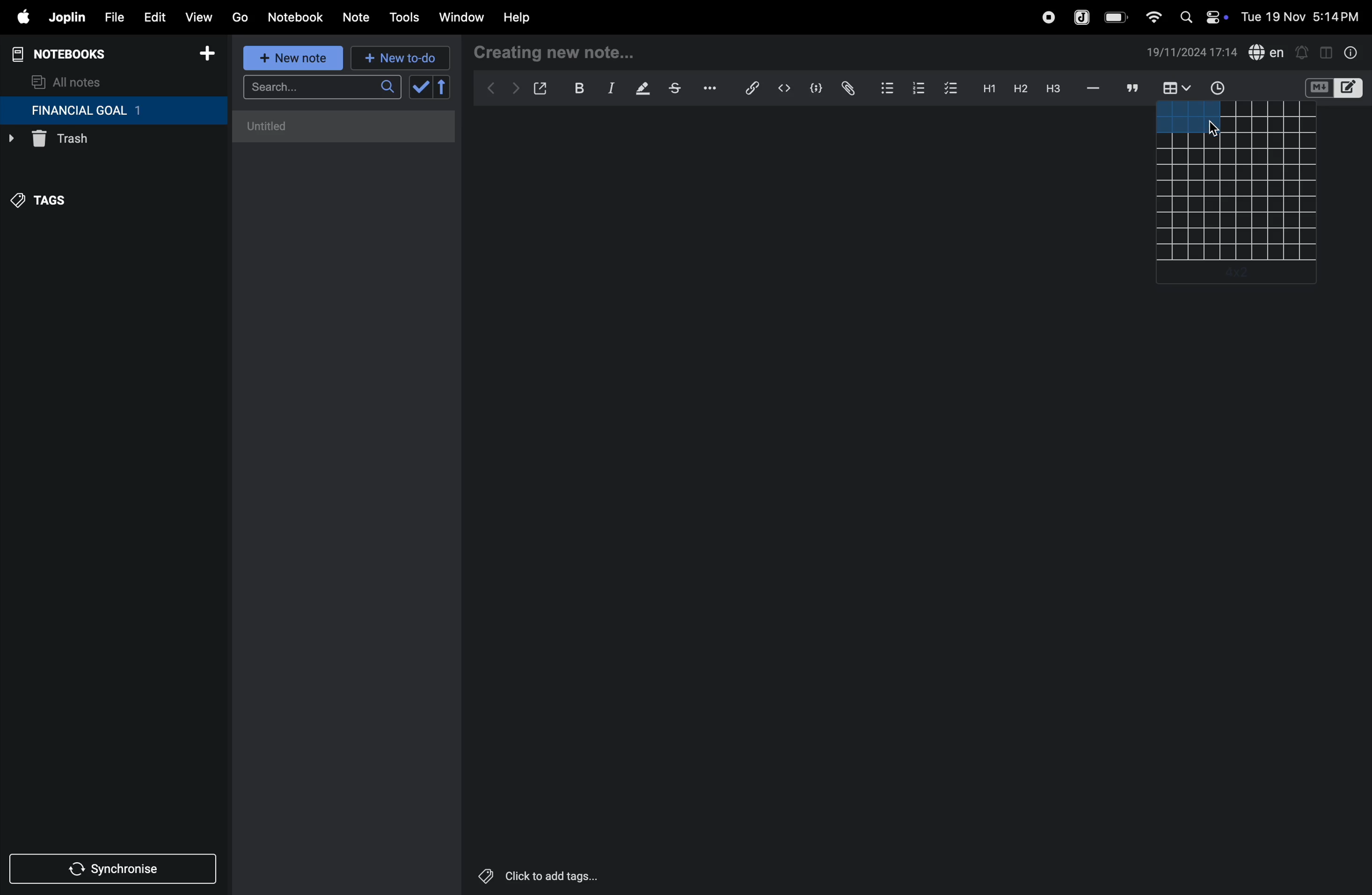  I want to click on new to-do, so click(402, 57).